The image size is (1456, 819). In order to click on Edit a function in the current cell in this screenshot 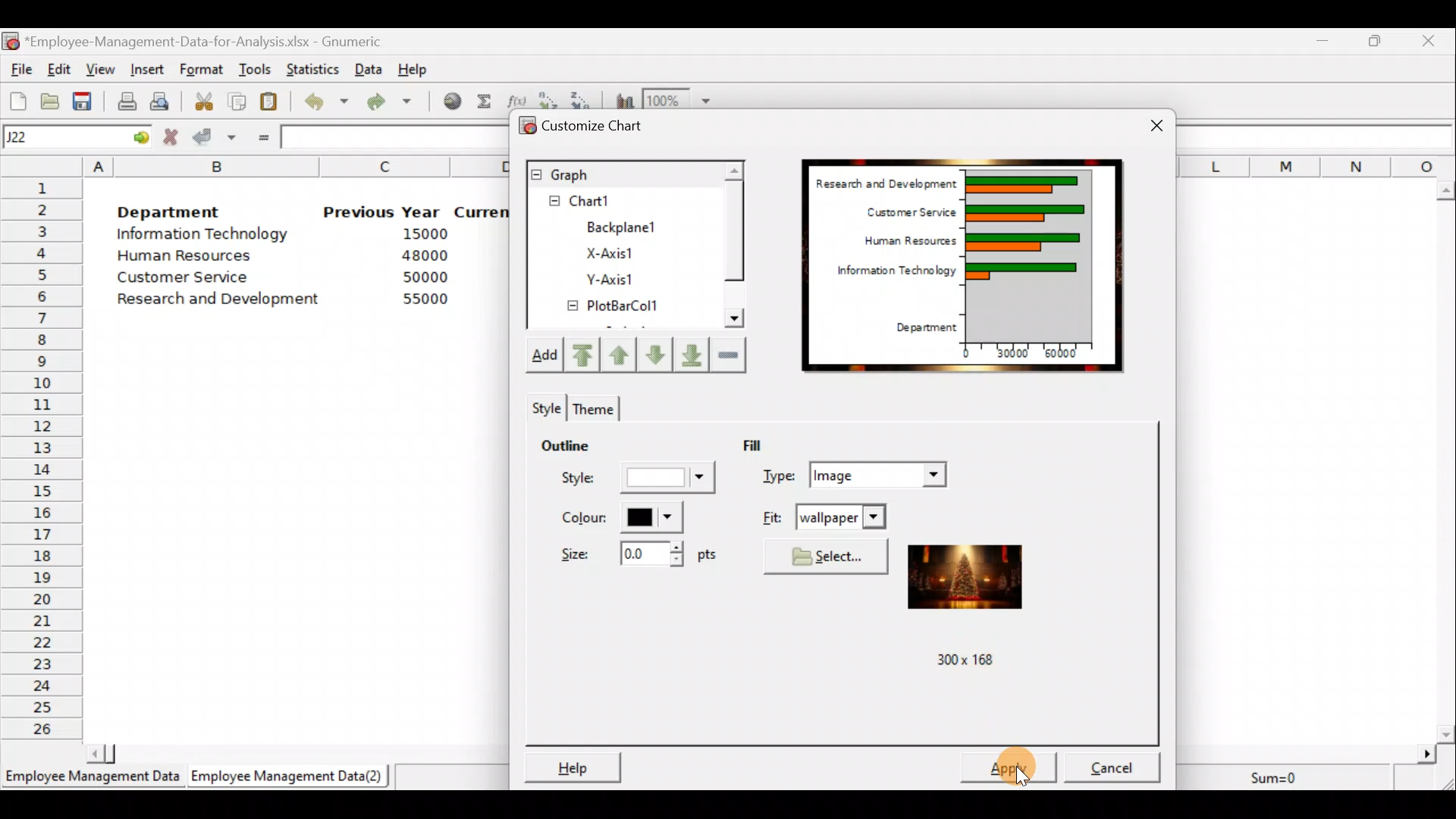, I will do `click(517, 99)`.